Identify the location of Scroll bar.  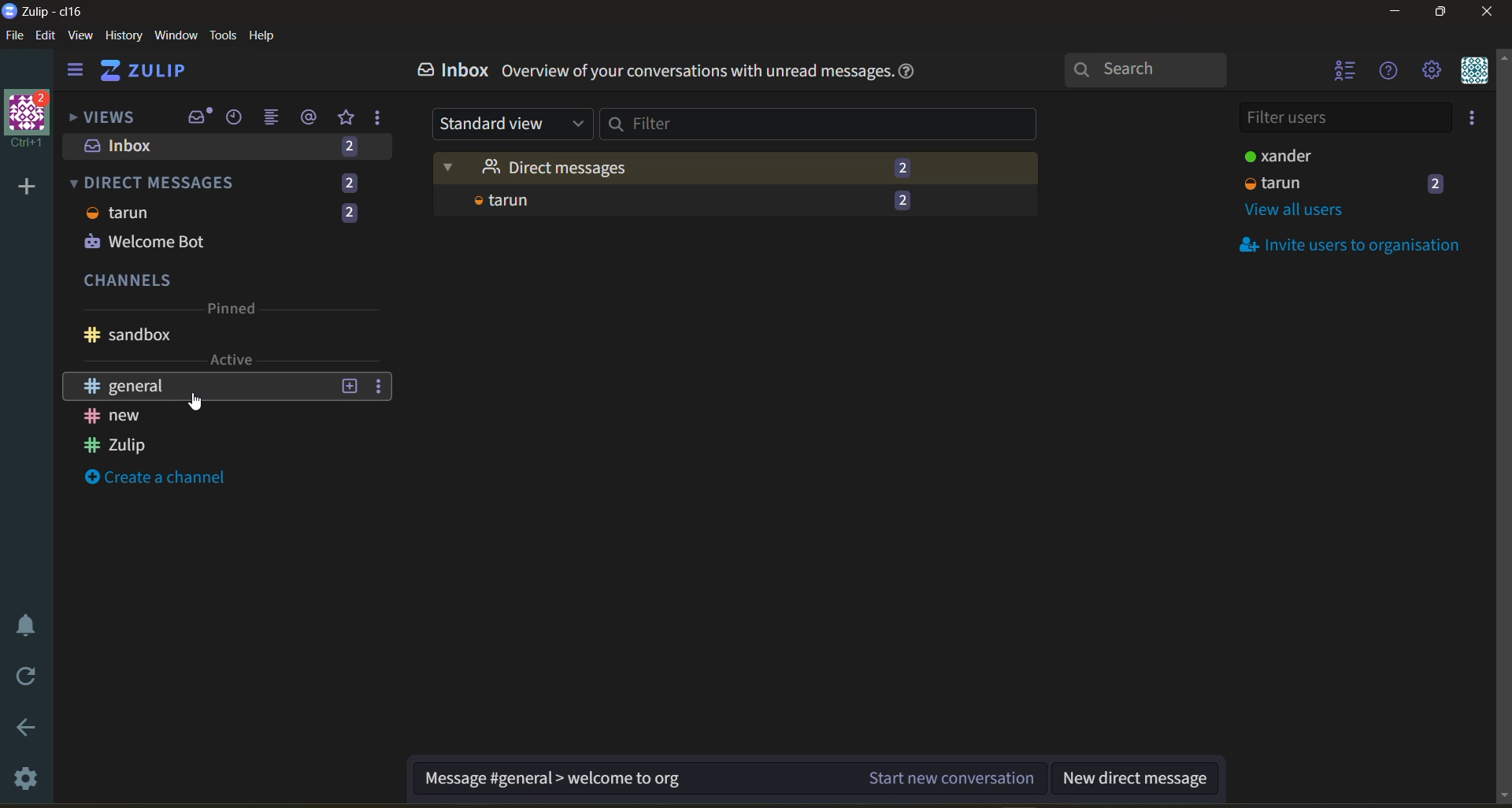
(1503, 421).